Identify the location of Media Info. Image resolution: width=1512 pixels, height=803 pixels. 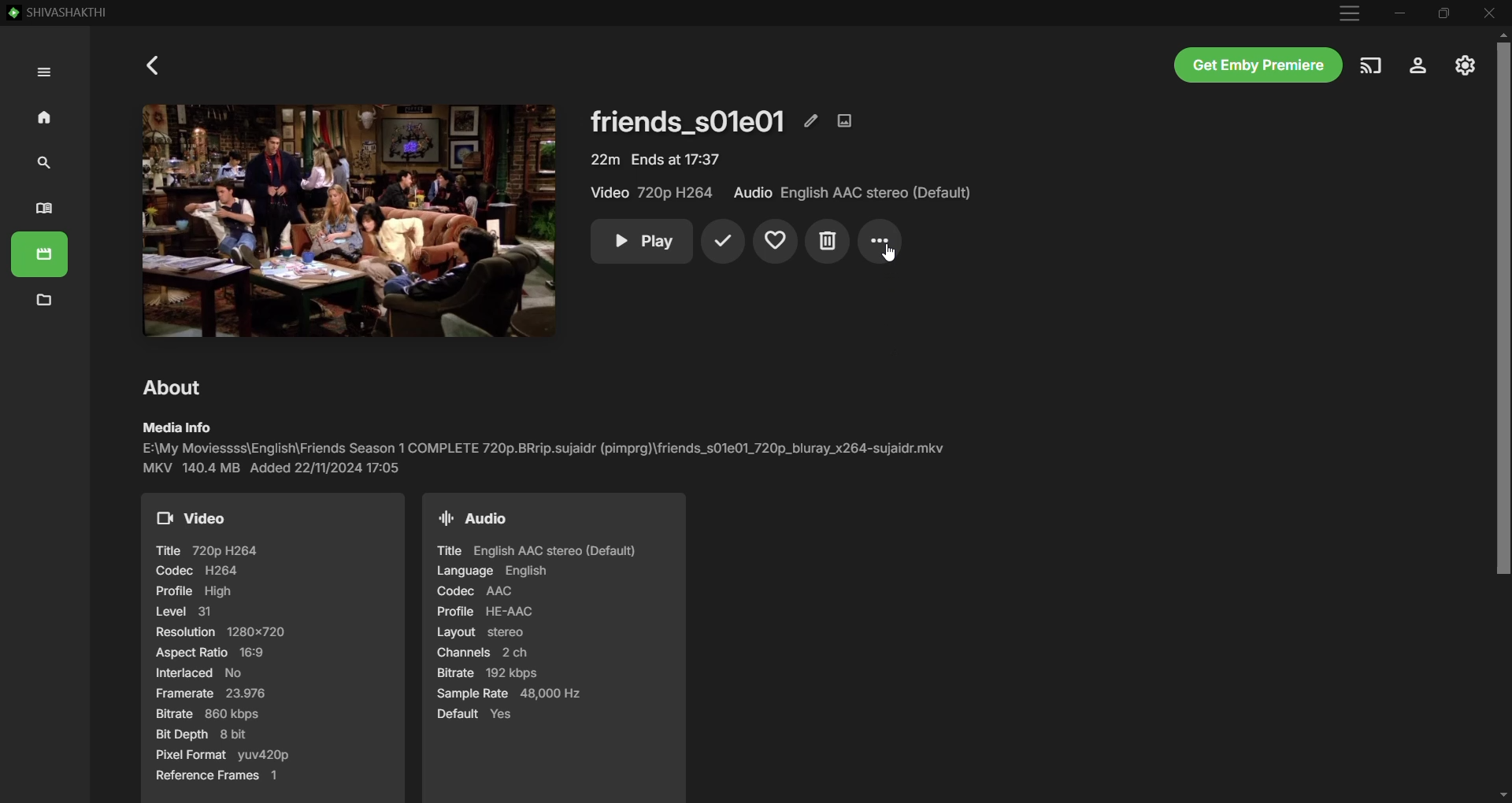
(545, 448).